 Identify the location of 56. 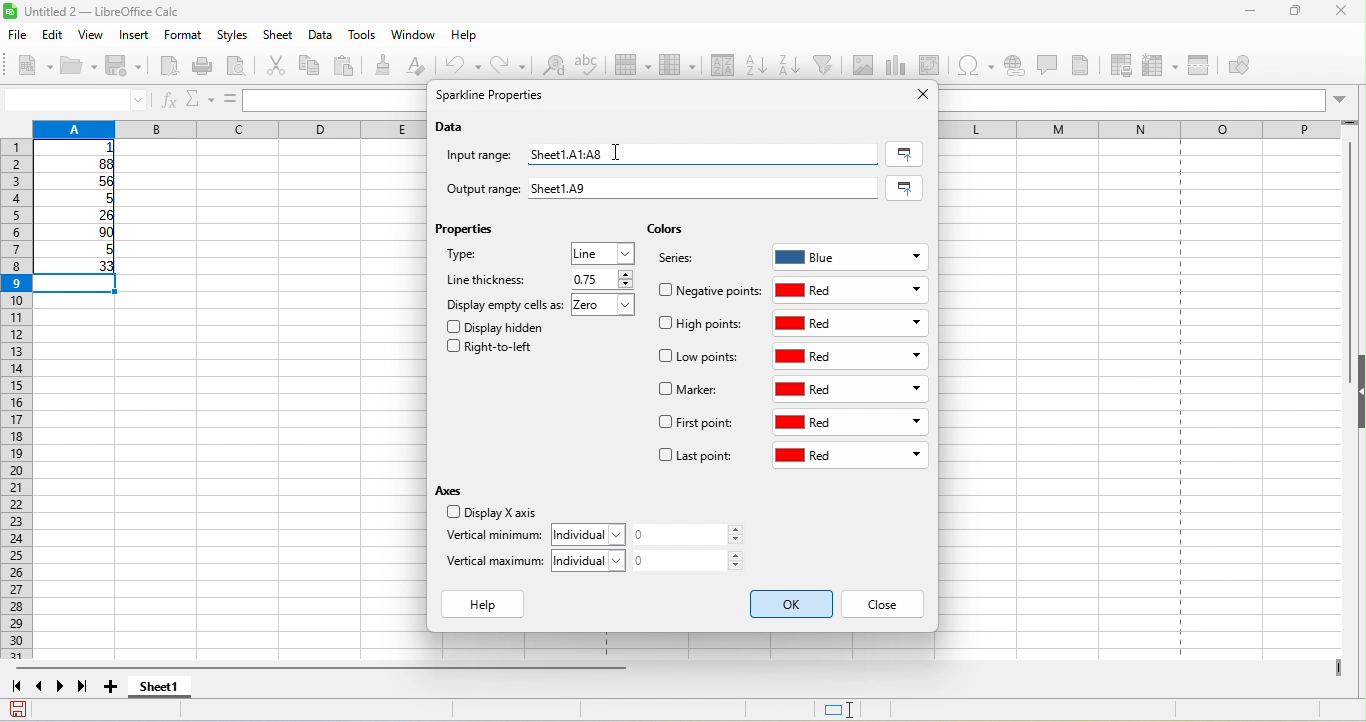
(82, 182).